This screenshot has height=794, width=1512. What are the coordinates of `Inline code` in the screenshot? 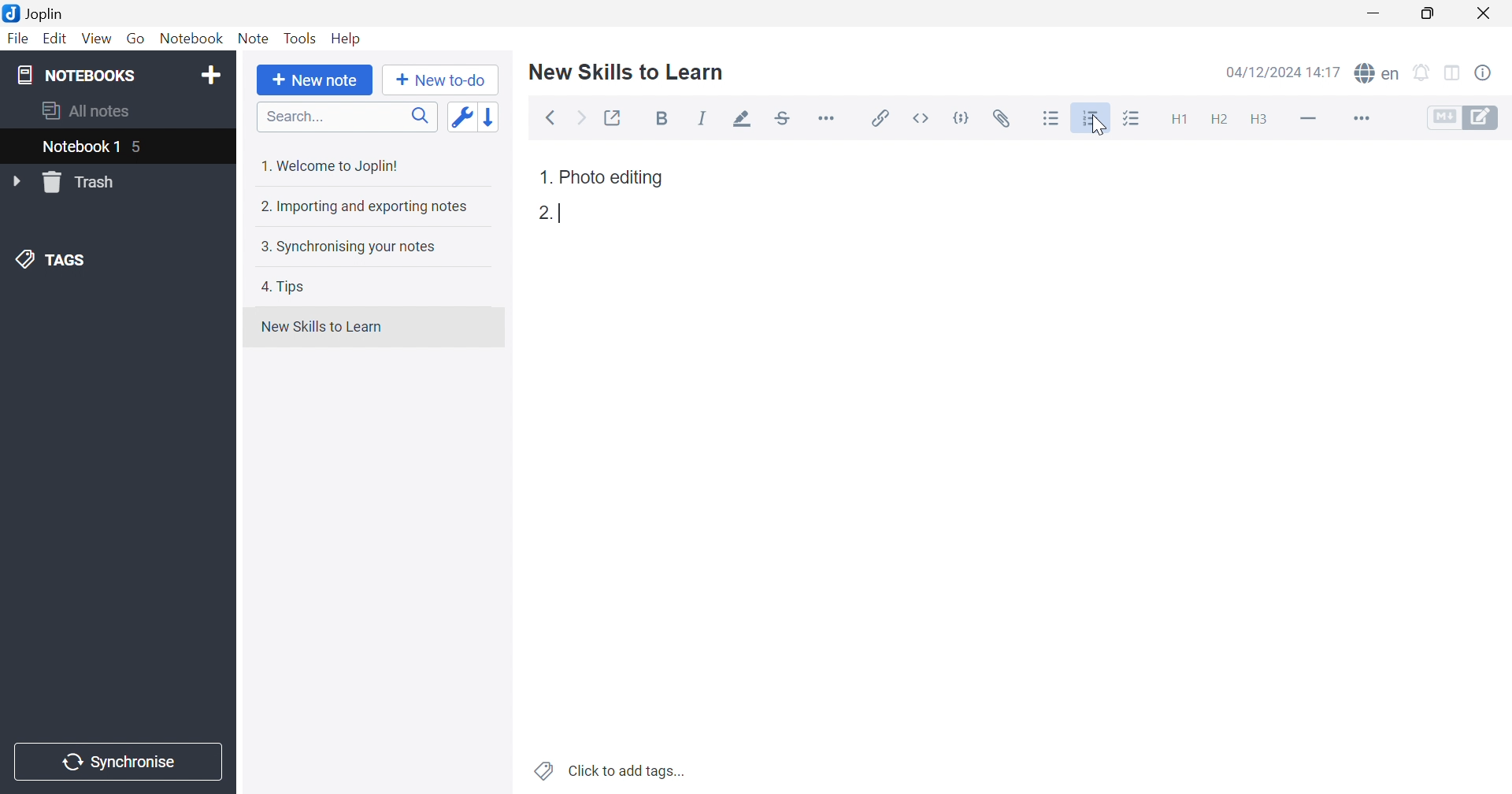 It's located at (924, 118).